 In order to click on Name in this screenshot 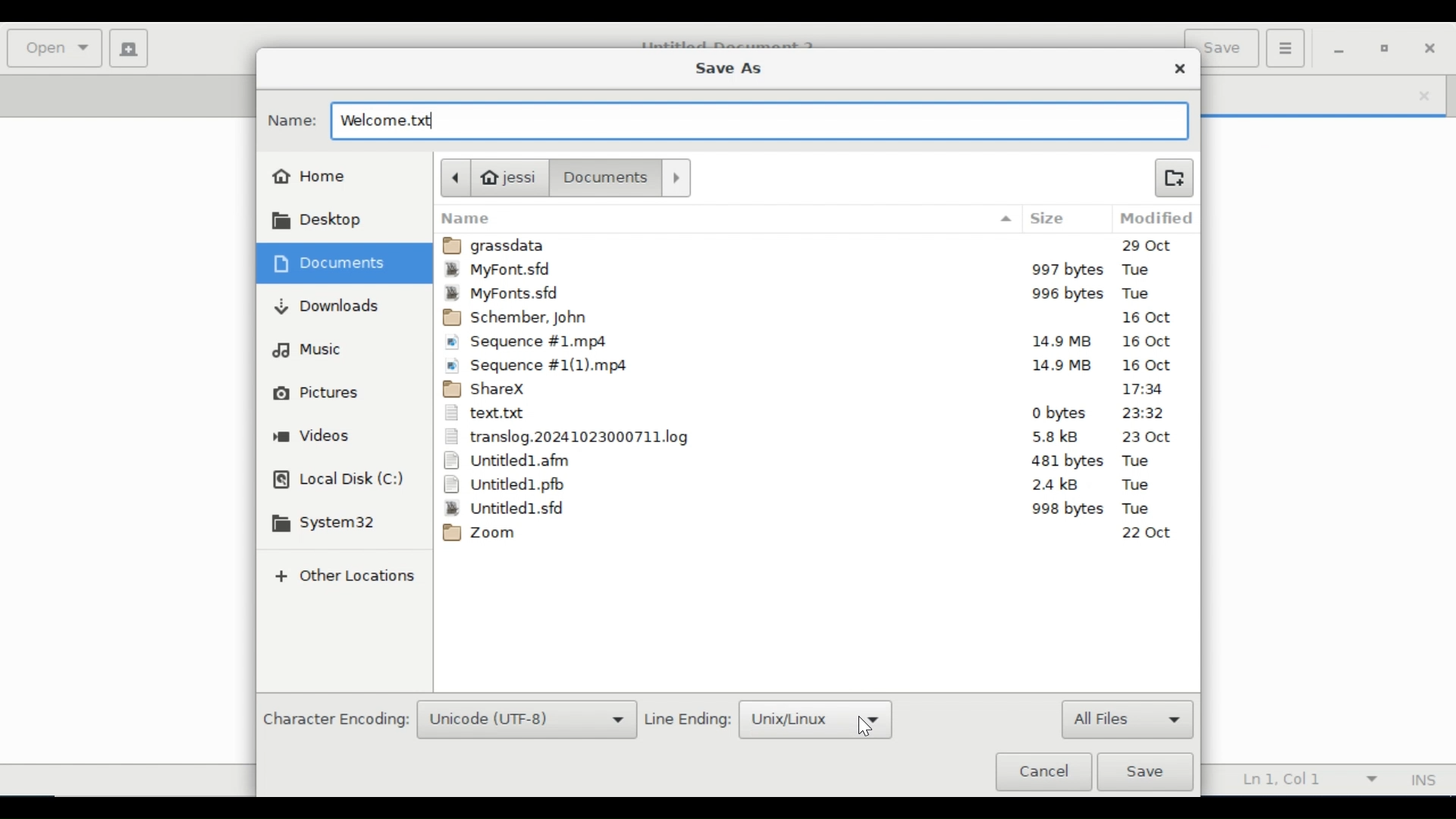, I will do `click(292, 121)`.